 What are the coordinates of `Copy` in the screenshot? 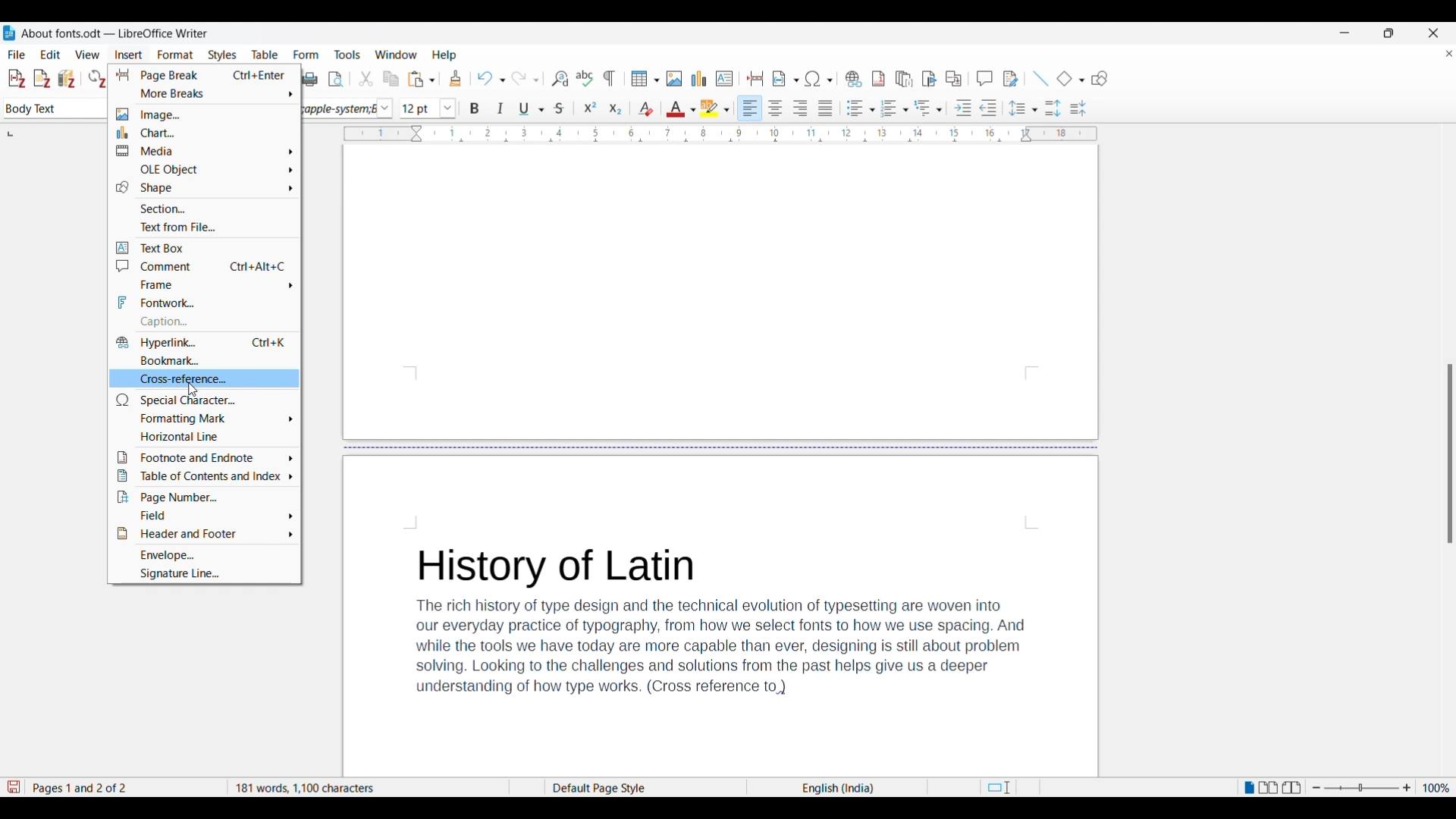 It's located at (391, 80).